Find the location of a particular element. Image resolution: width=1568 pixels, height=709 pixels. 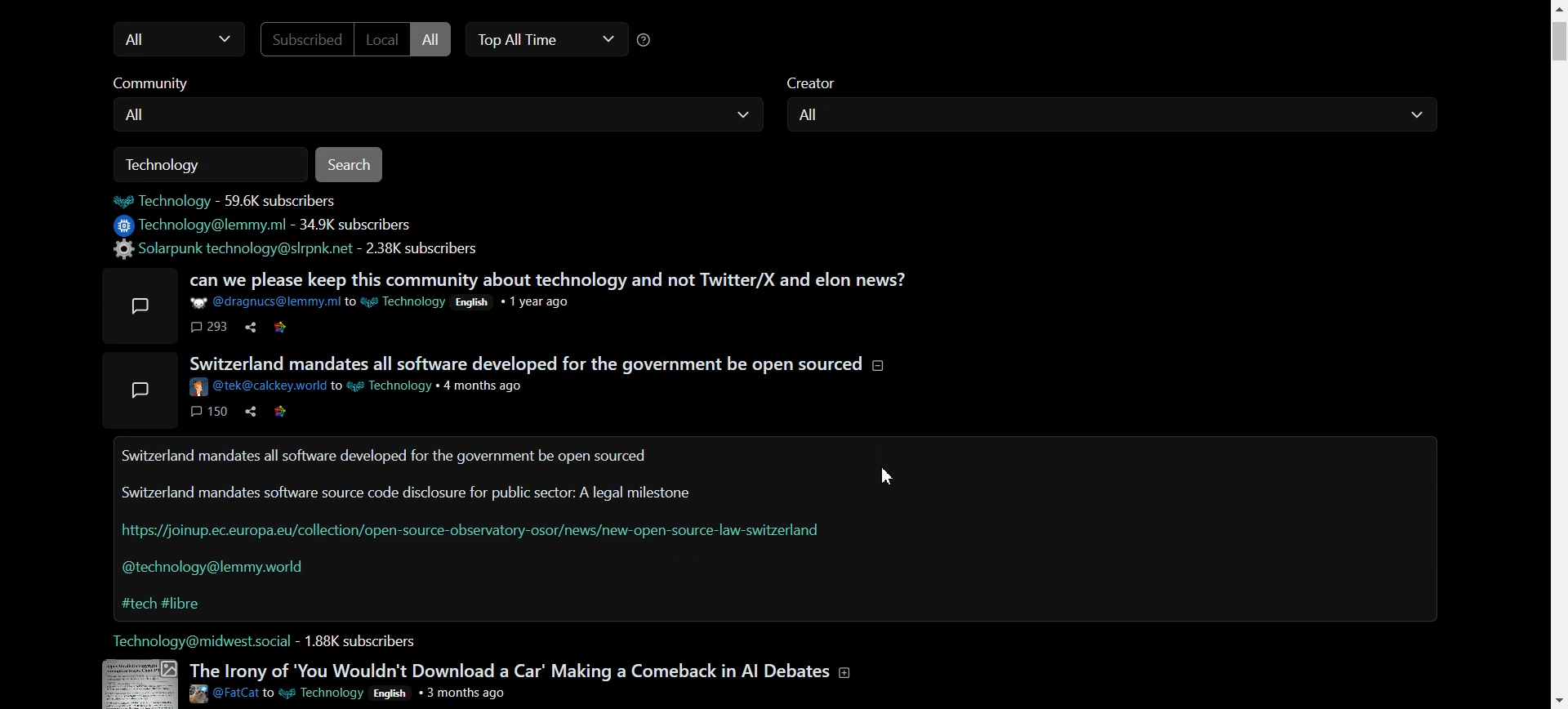

293 comments is located at coordinates (209, 328).